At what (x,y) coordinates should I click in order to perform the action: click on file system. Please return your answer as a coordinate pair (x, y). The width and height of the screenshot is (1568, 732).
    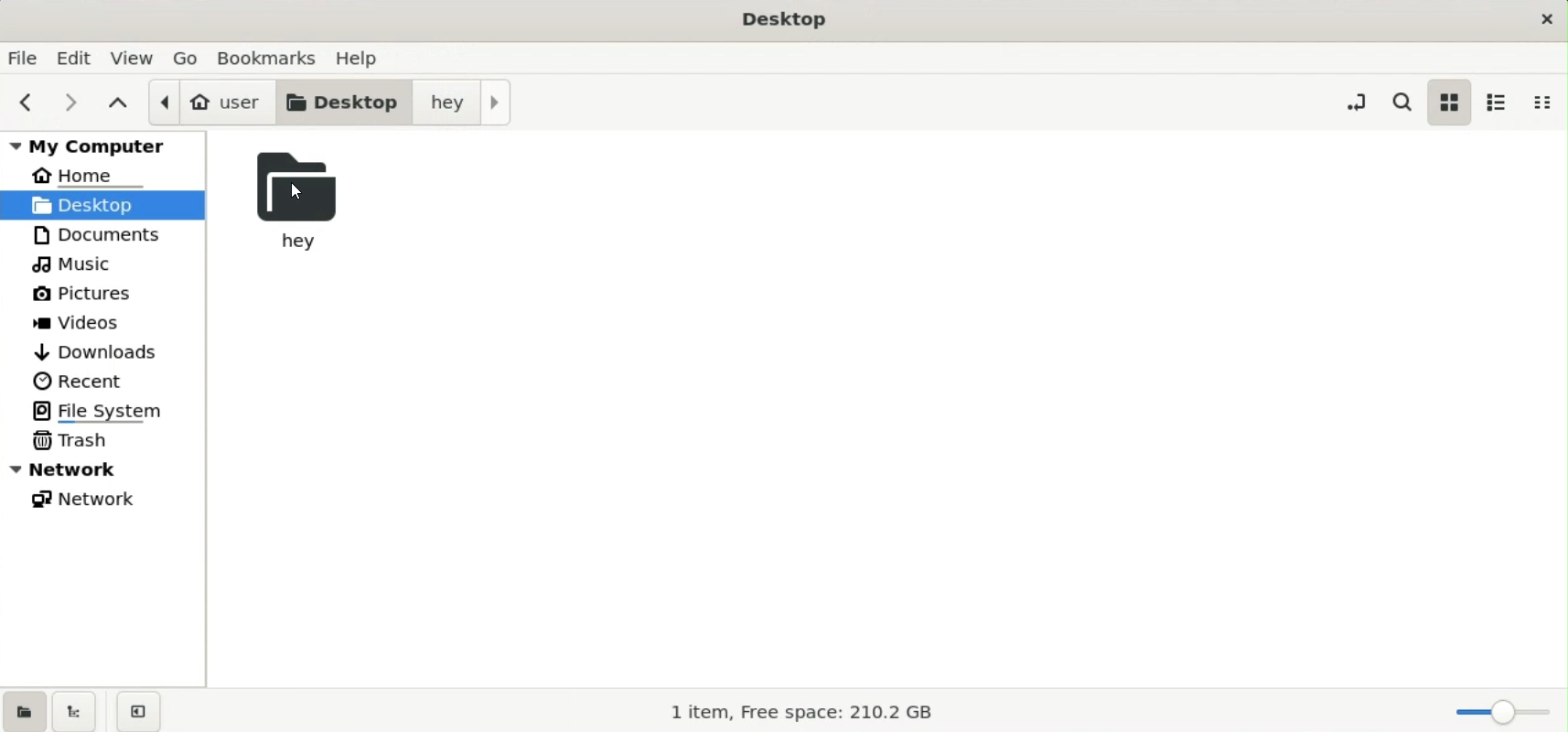
    Looking at the image, I should click on (105, 410).